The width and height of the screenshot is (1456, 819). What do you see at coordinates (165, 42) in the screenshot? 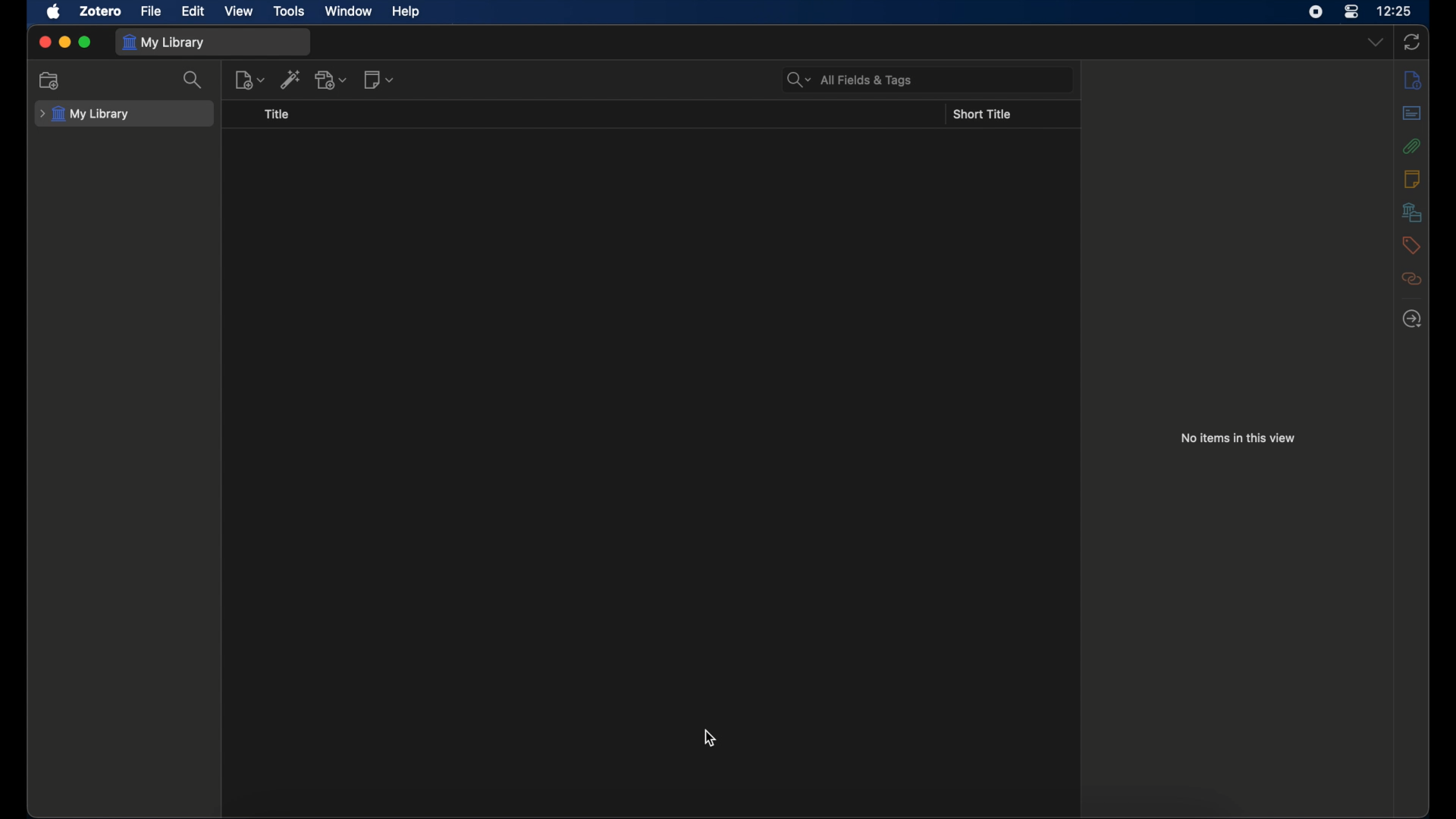
I see `my library` at bounding box center [165, 42].